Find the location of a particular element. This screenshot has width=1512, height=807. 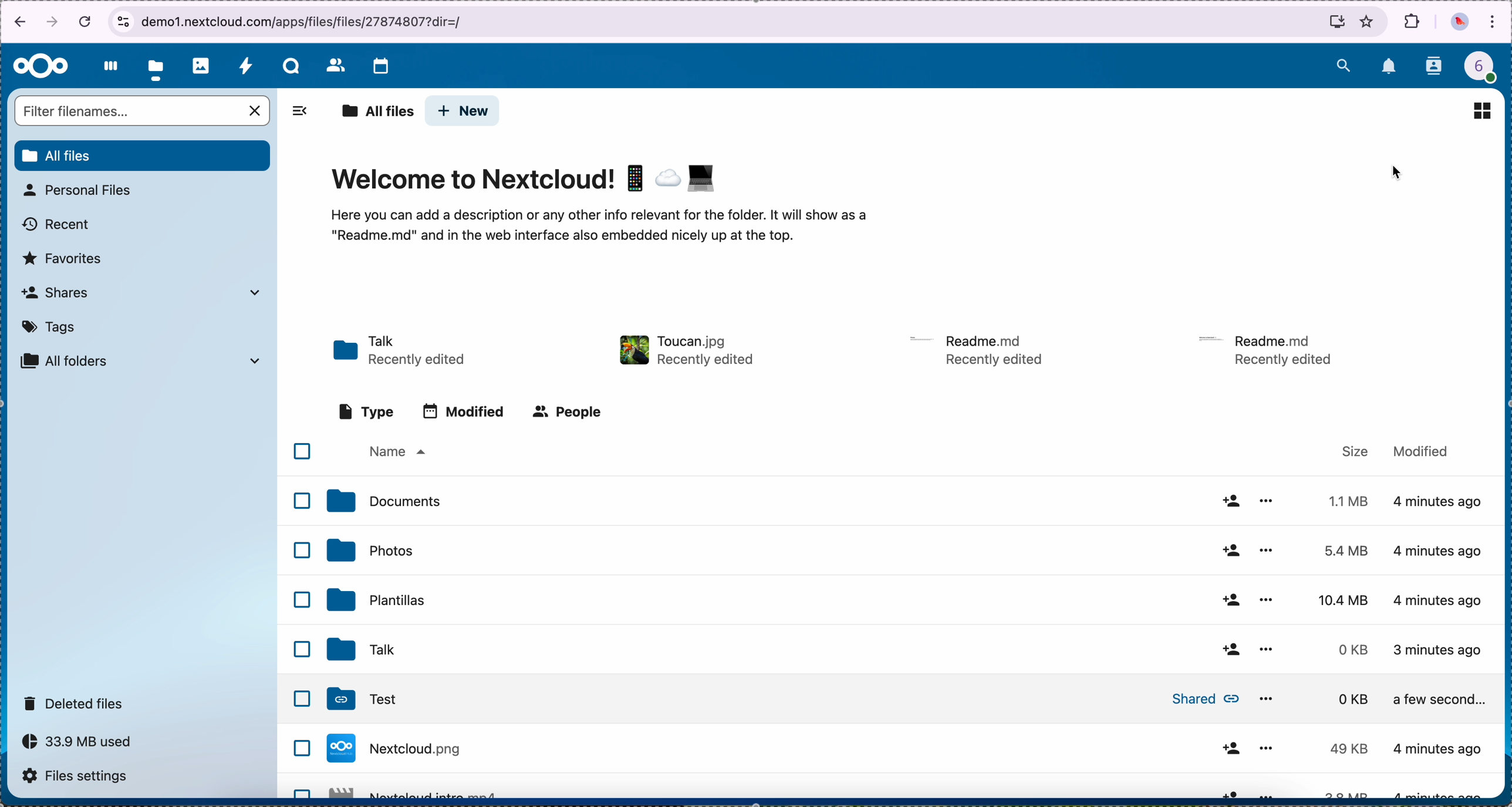

dashboard is located at coordinates (107, 66).